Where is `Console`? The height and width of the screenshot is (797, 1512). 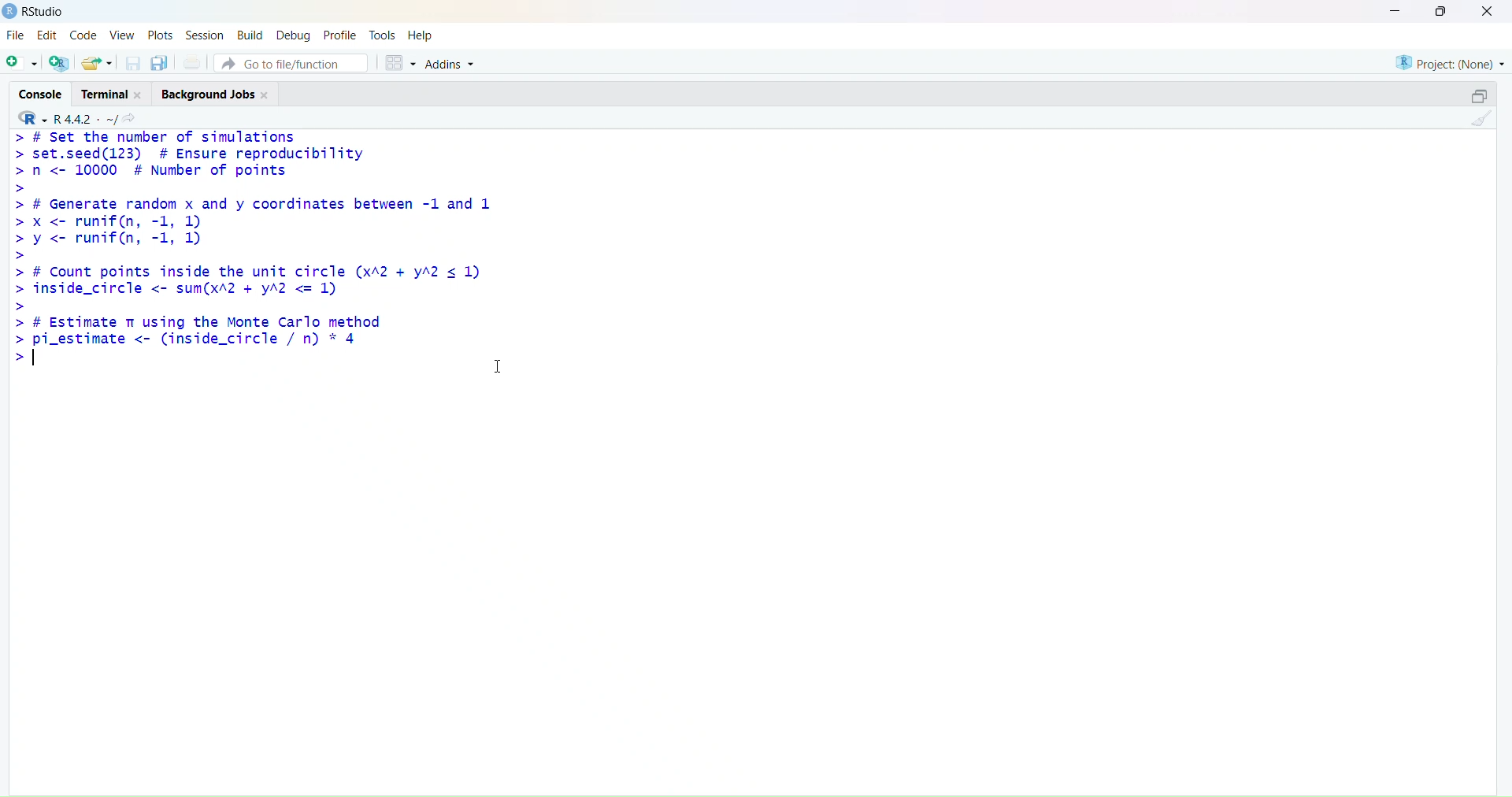 Console is located at coordinates (41, 94).